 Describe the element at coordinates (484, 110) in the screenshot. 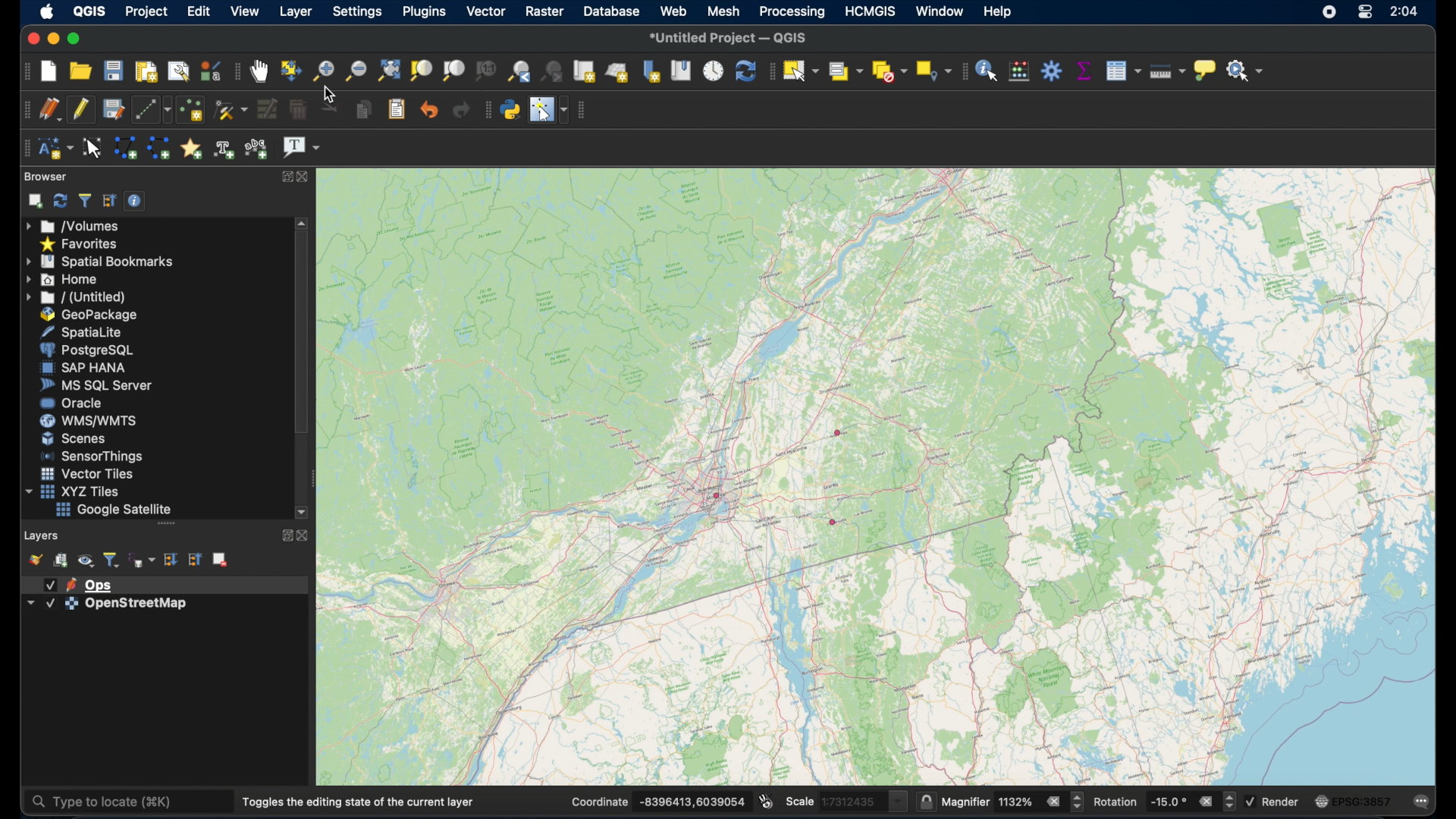

I see `plugins toolbar` at that location.